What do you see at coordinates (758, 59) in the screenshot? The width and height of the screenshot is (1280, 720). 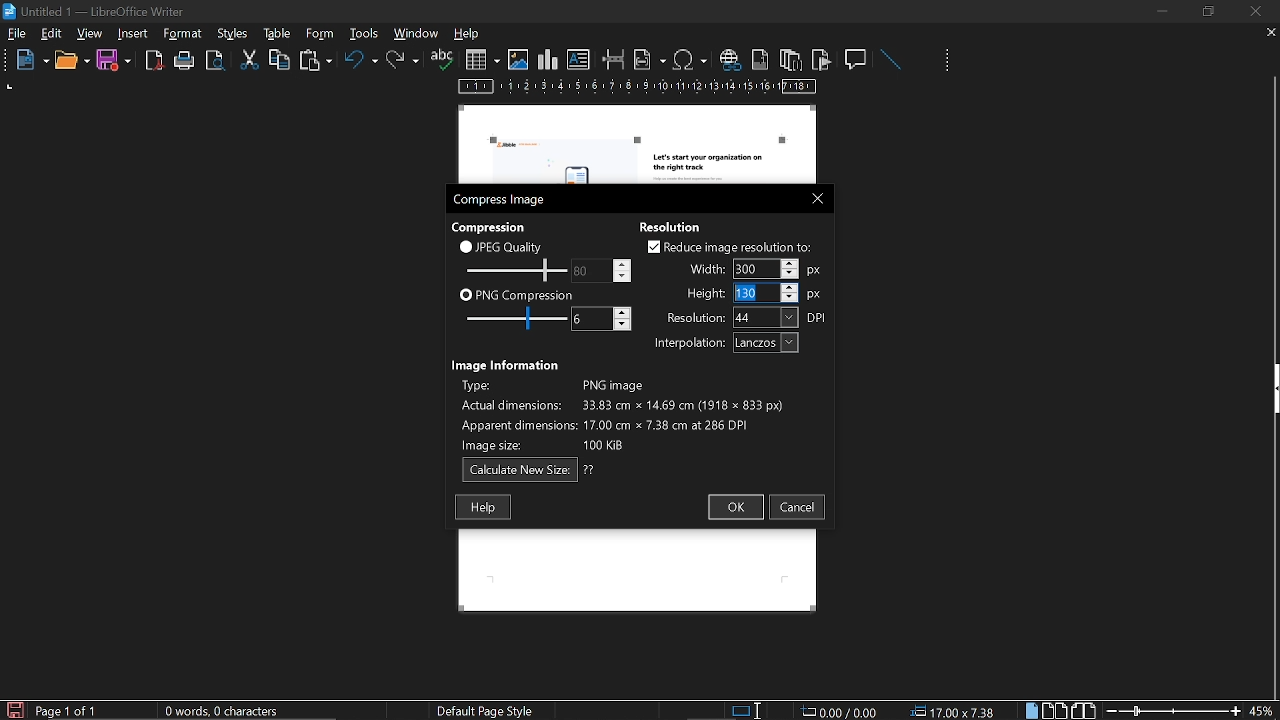 I see `insert footnote` at bounding box center [758, 59].